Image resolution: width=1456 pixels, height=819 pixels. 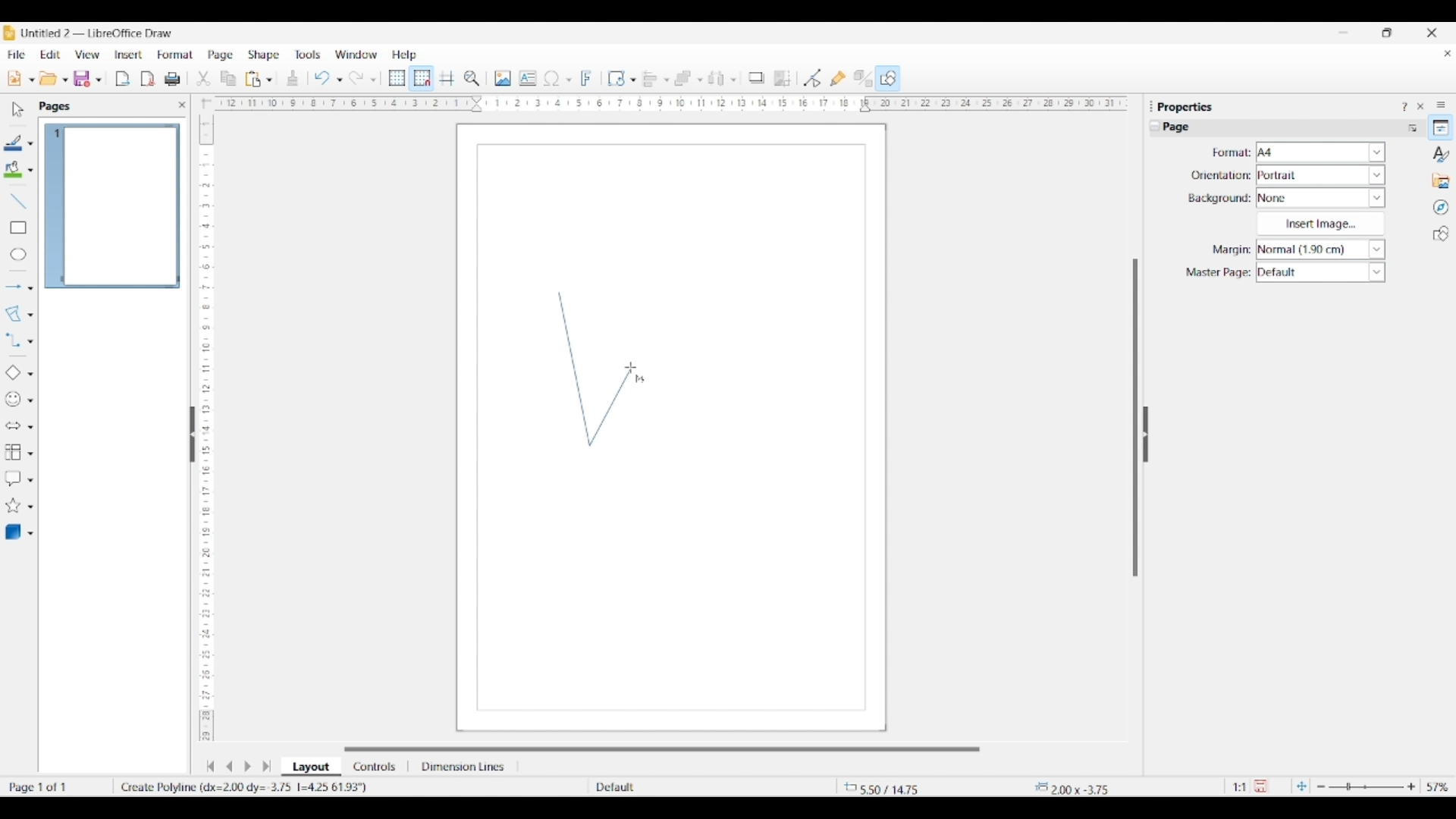 I want to click on Horizontal slide bar, so click(x=662, y=749).